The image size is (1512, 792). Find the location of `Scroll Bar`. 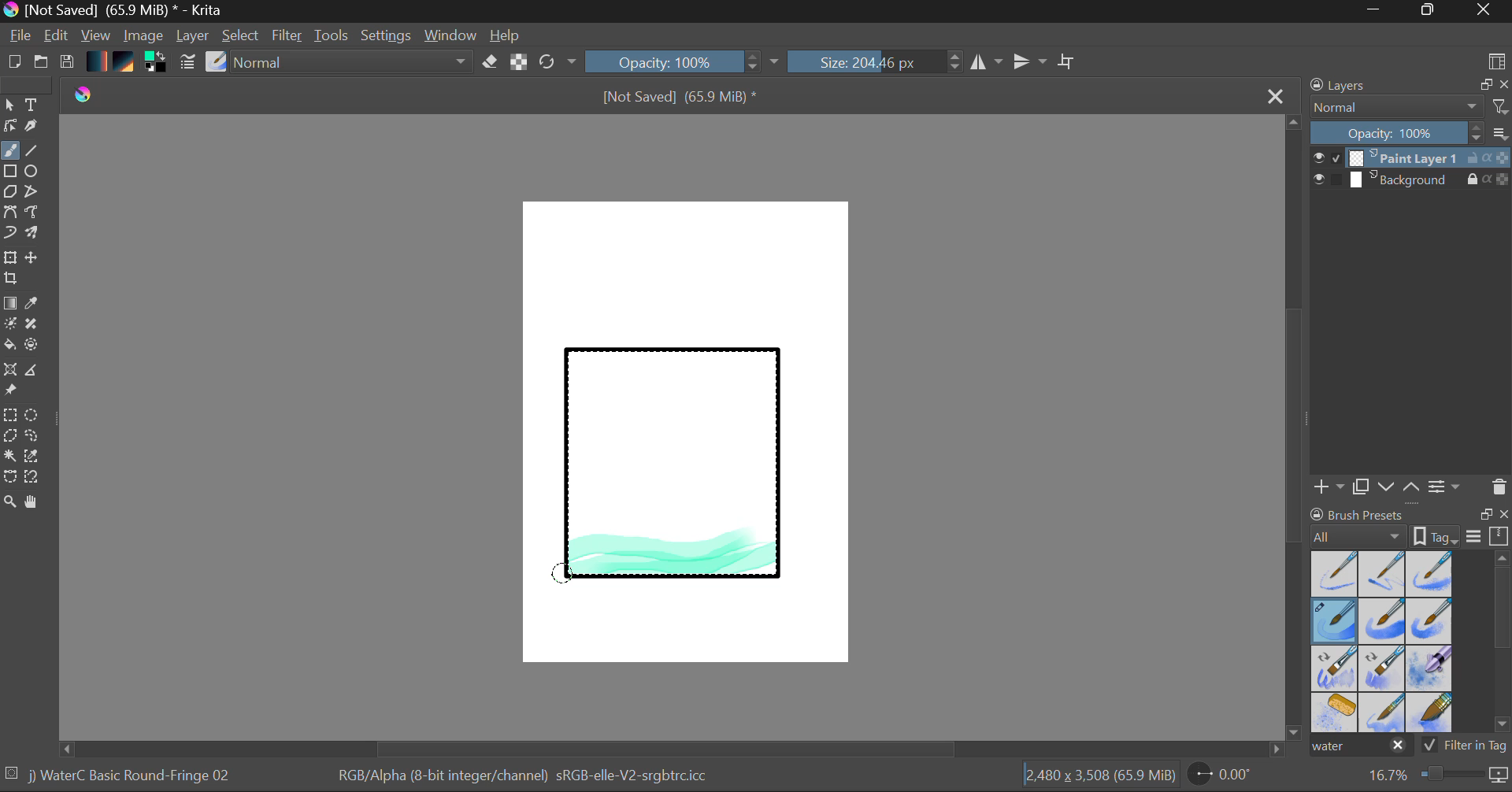

Scroll Bar is located at coordinates (1295, 429).